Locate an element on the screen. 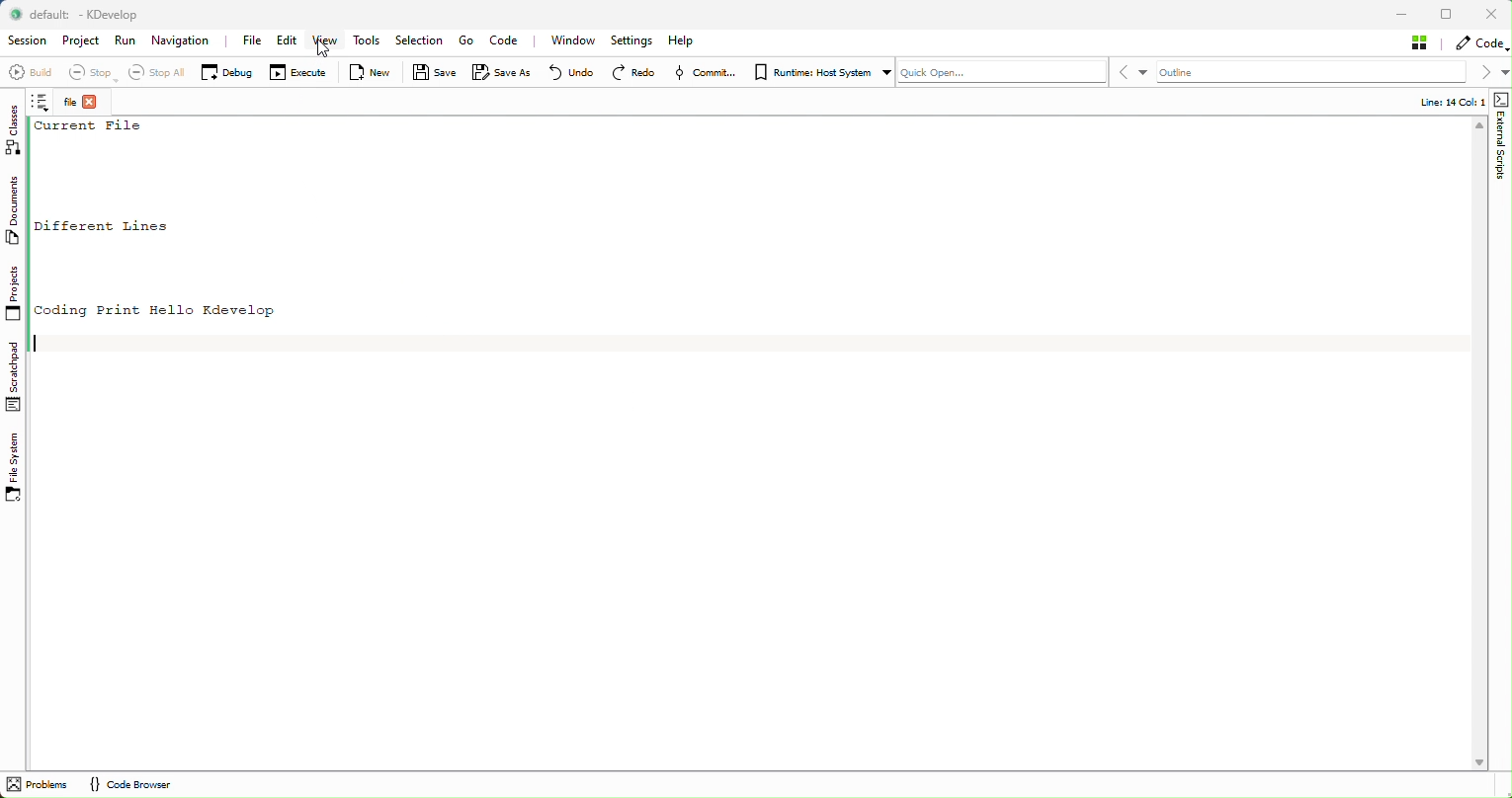  Box is located at coordinates (1449, 14).